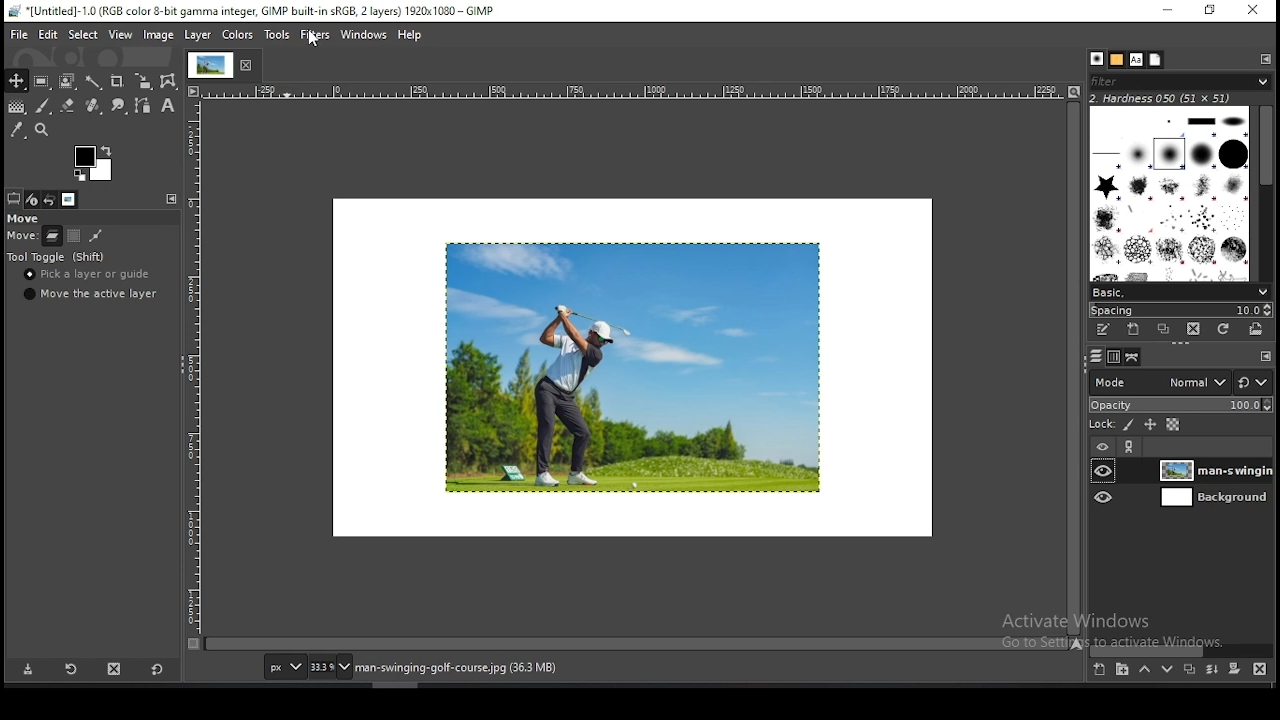 This screenshot has width=1280, height=720. I want to click on edit, so click(48, 36).